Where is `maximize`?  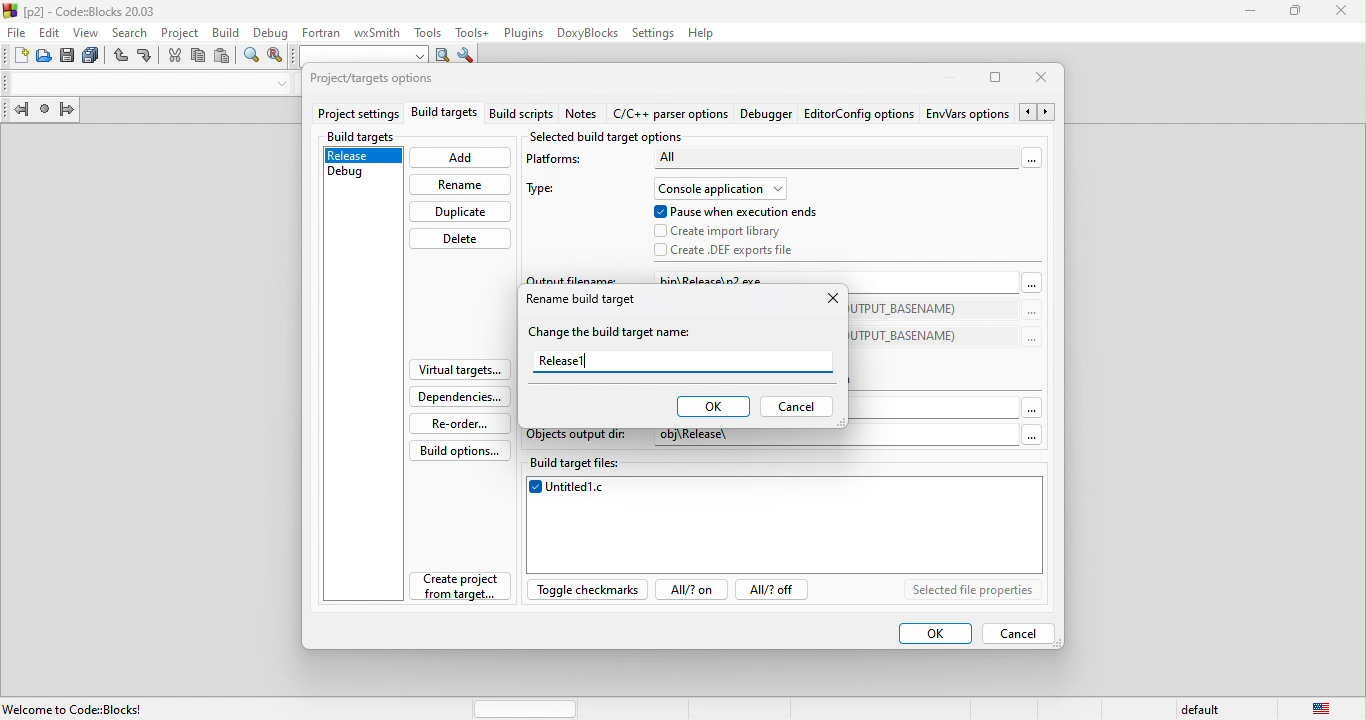 maximize is located at coordinates (1296, 12).